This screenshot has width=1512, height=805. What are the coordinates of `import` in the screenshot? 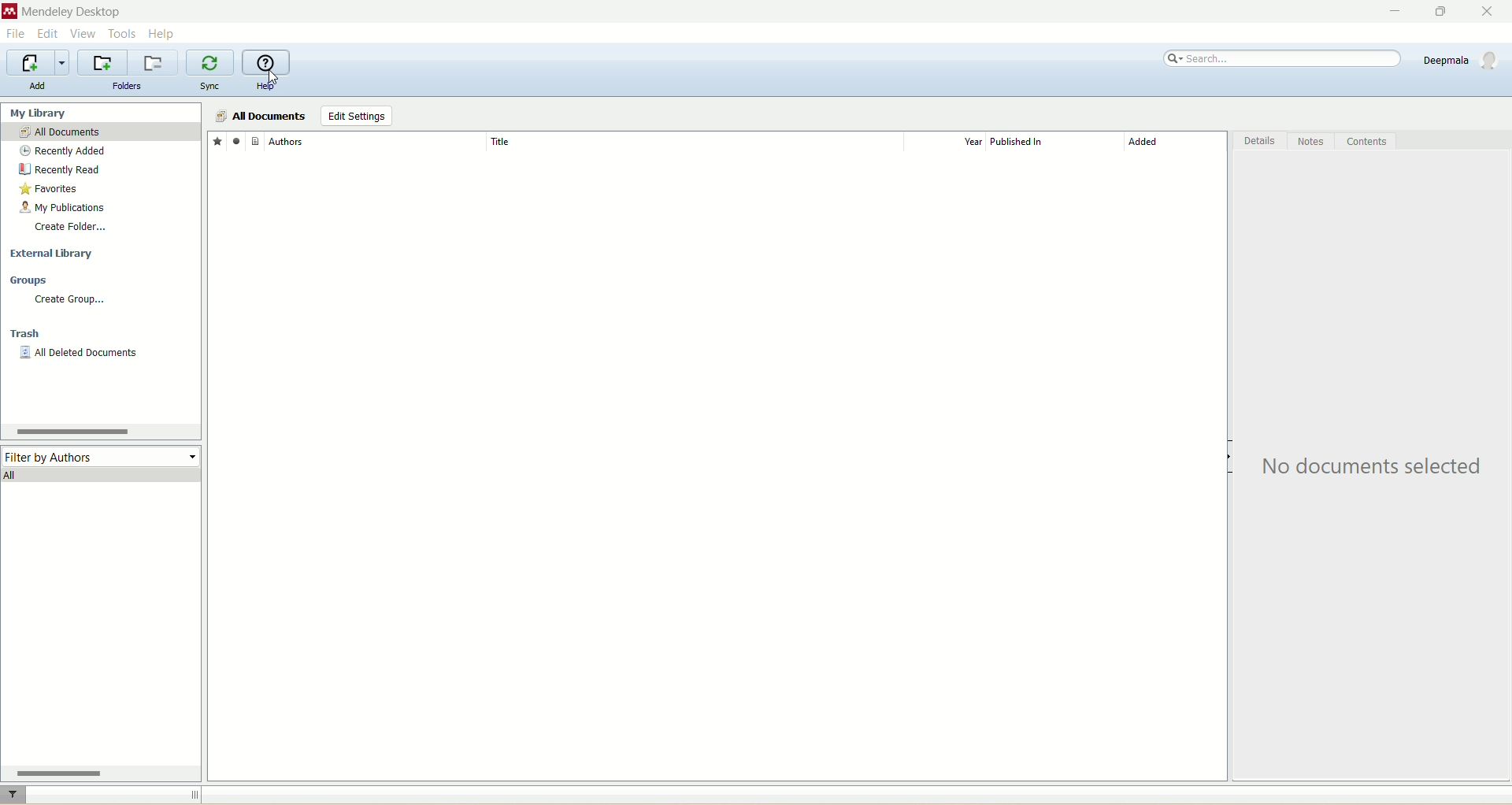 It's located at (39, 64).